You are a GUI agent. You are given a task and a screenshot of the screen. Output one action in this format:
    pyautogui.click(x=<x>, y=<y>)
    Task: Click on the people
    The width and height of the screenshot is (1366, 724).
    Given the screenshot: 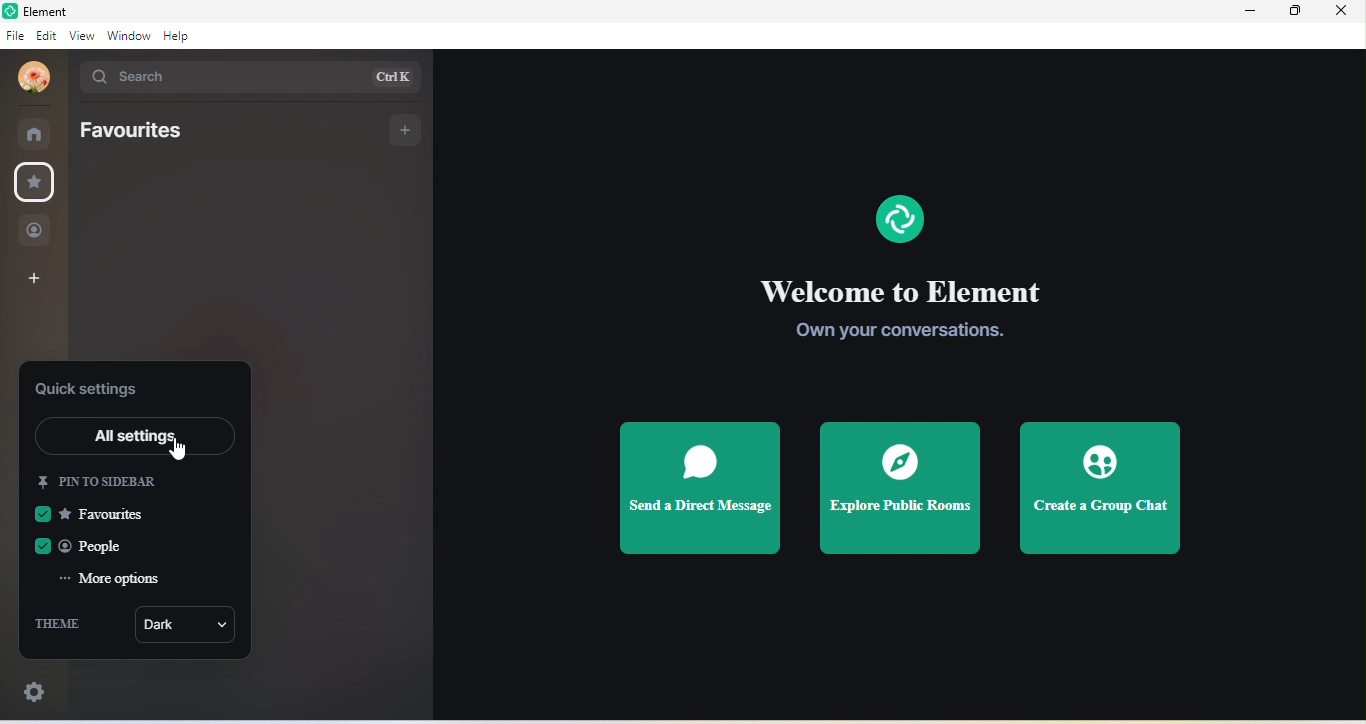 What is the action you would take?
    pyautogui.click(x=35, y=230)
    